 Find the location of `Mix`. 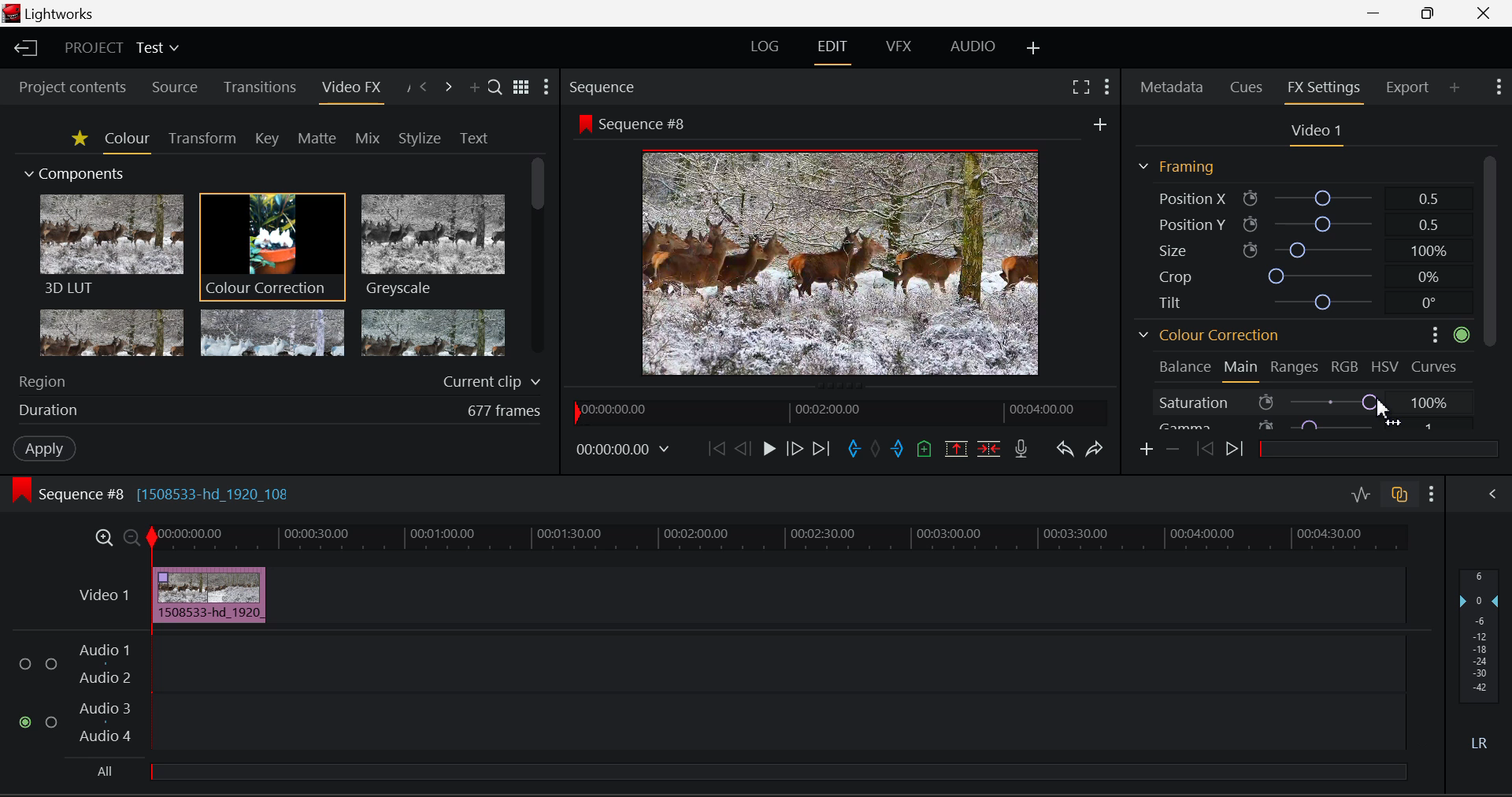

Mix is located at coordinates (369, 137).